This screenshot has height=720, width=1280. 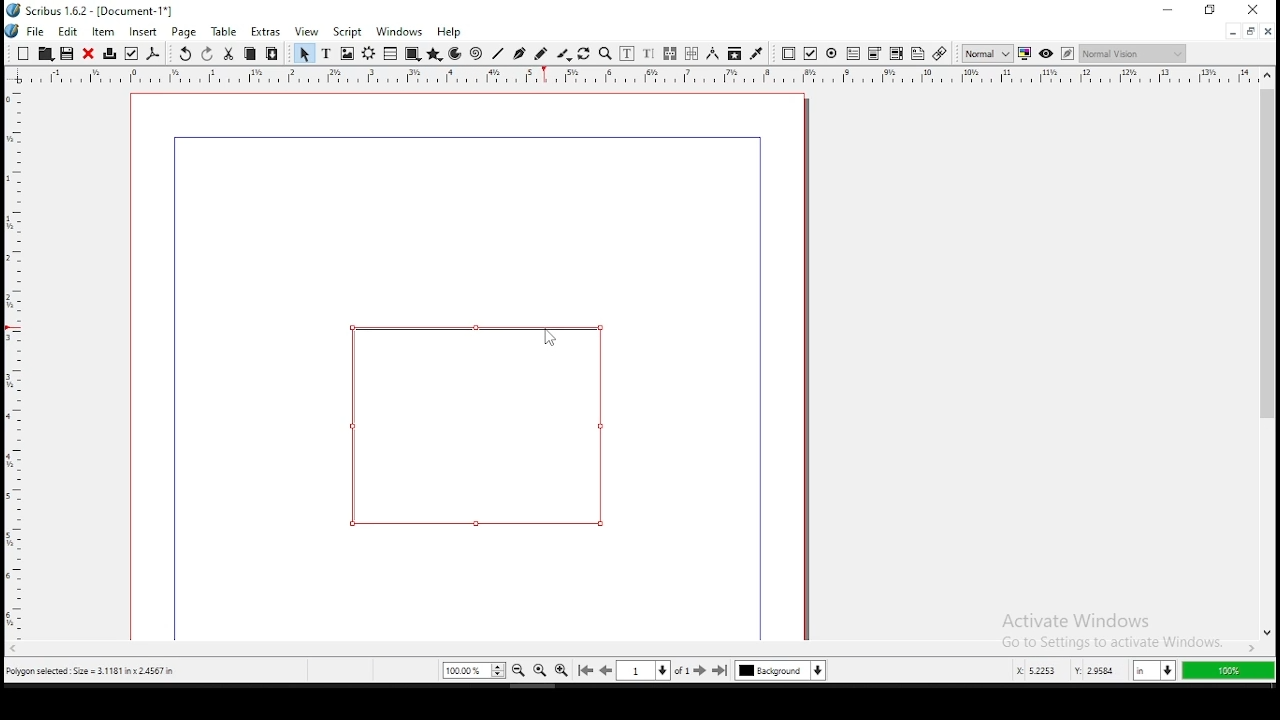 What do you see at coordinates (346, 32) in the screenshot?
I see `script` at bounding box center [346, 32].